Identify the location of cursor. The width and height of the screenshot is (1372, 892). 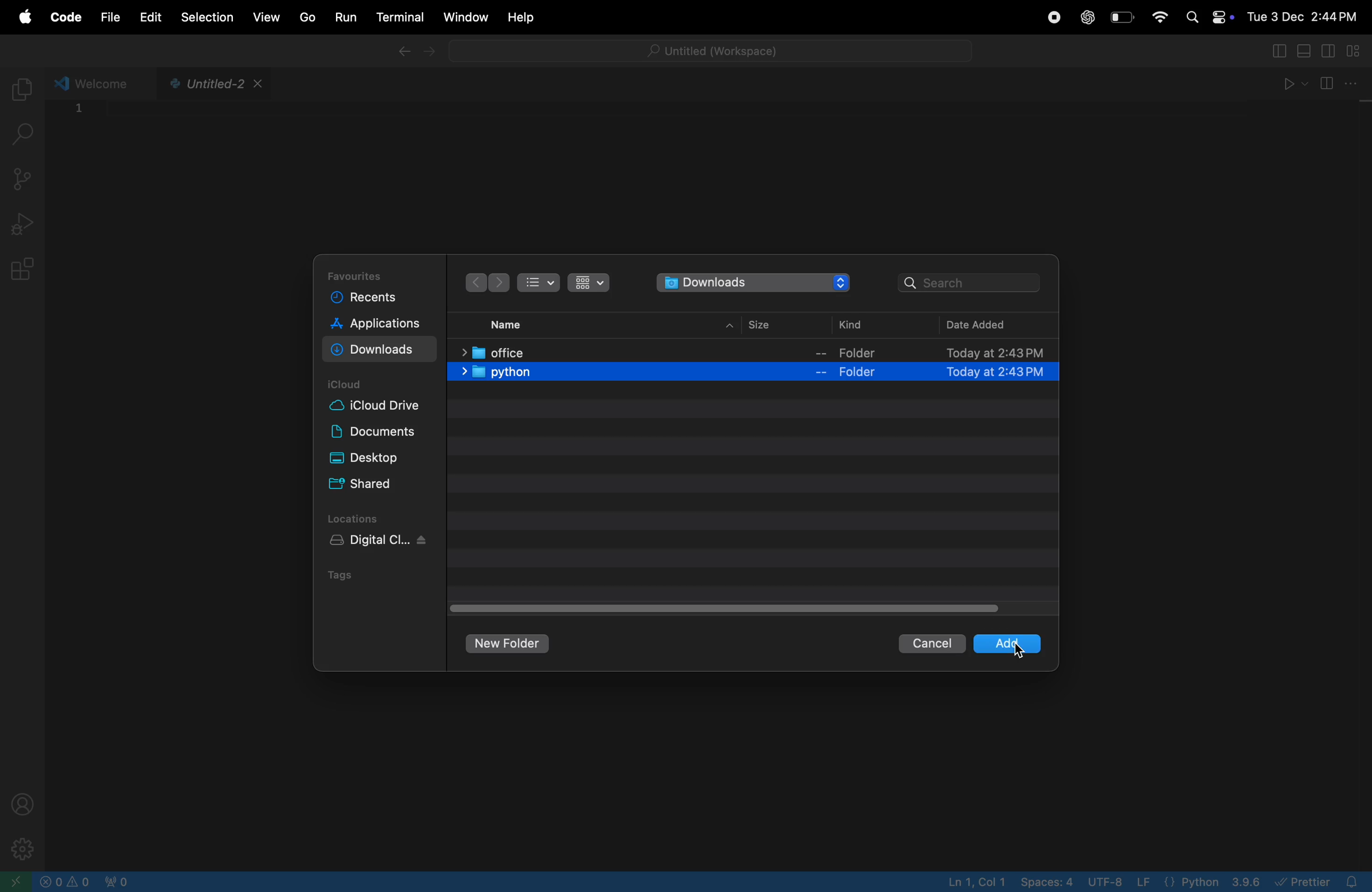
(1026, 652).